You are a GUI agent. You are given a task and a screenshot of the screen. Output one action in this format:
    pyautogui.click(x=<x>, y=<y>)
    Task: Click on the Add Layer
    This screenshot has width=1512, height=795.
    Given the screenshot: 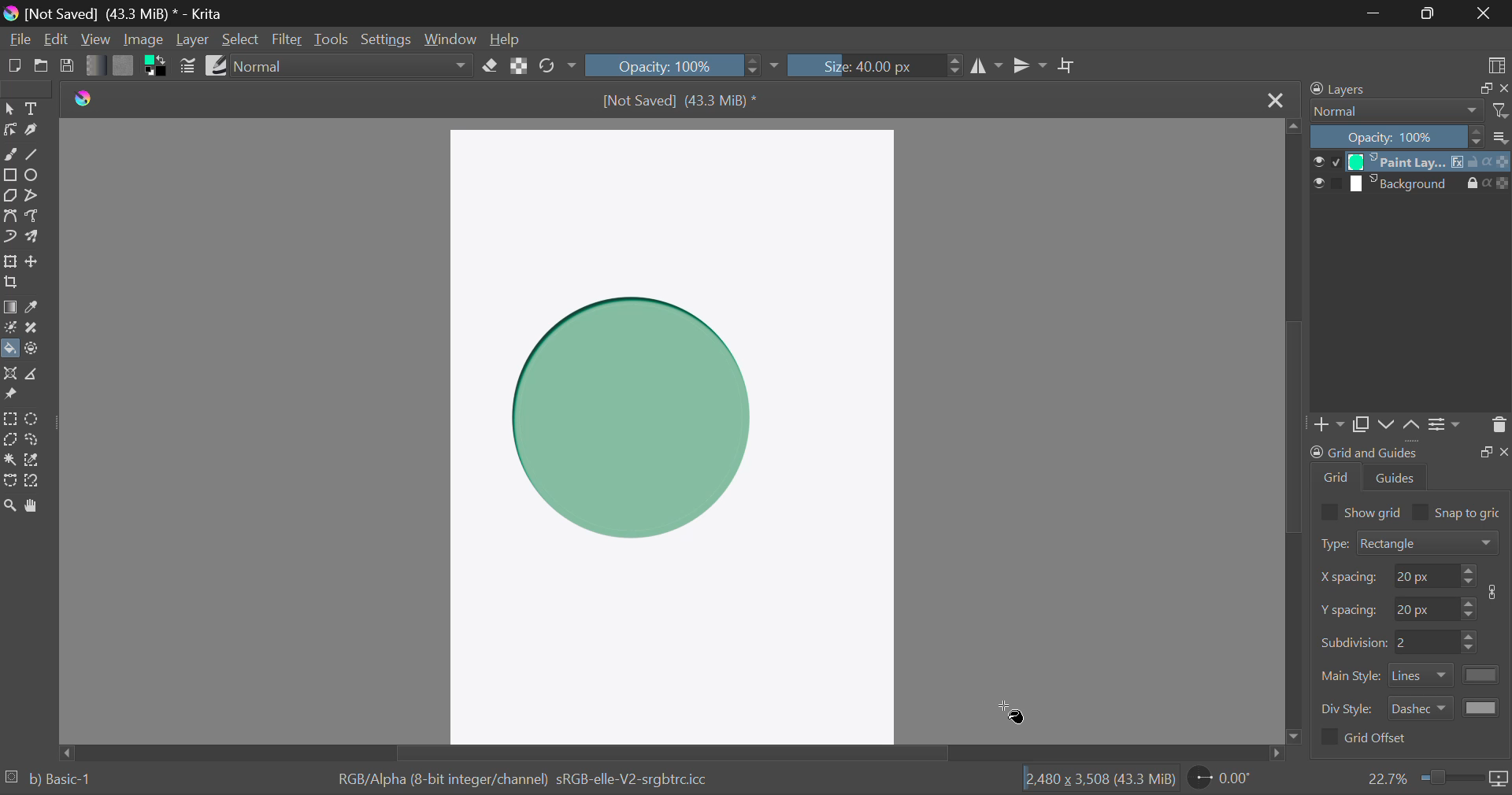 What is the action you would take?
    pyautogui.click(x=1331, y=426)
    